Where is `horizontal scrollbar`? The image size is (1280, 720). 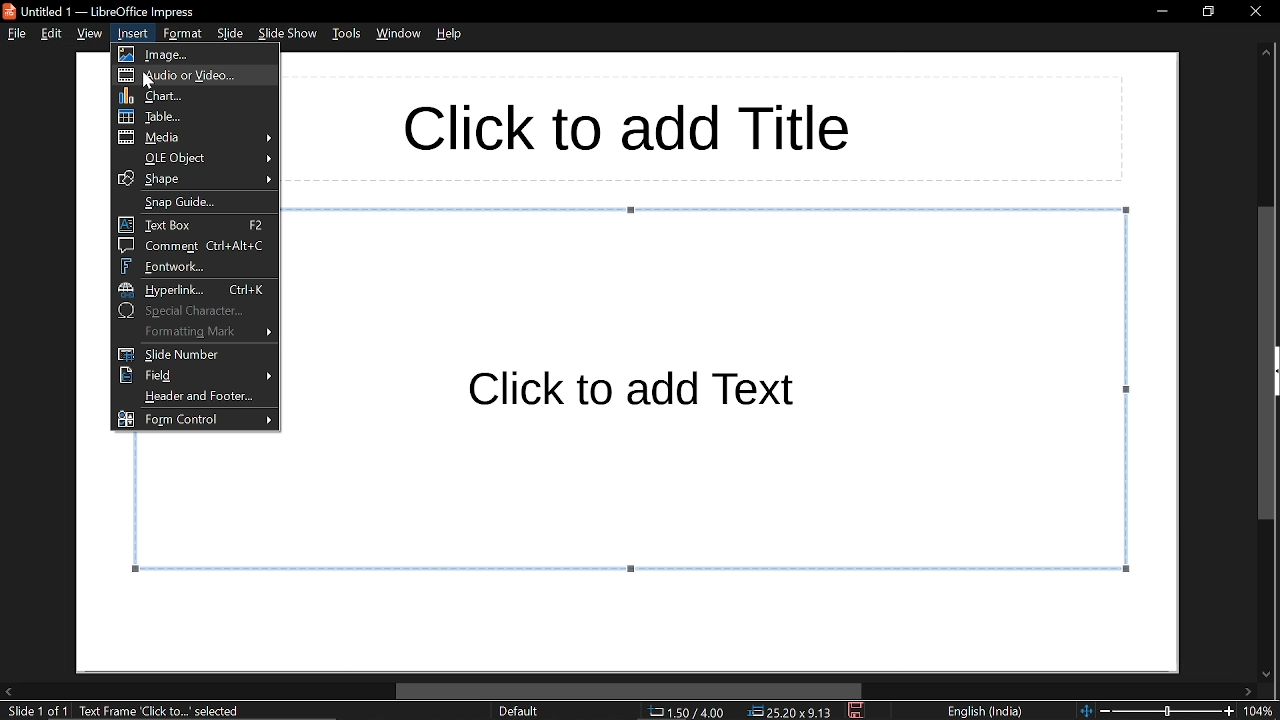
horizontal scrollbar is located at coordinates (628, 691).